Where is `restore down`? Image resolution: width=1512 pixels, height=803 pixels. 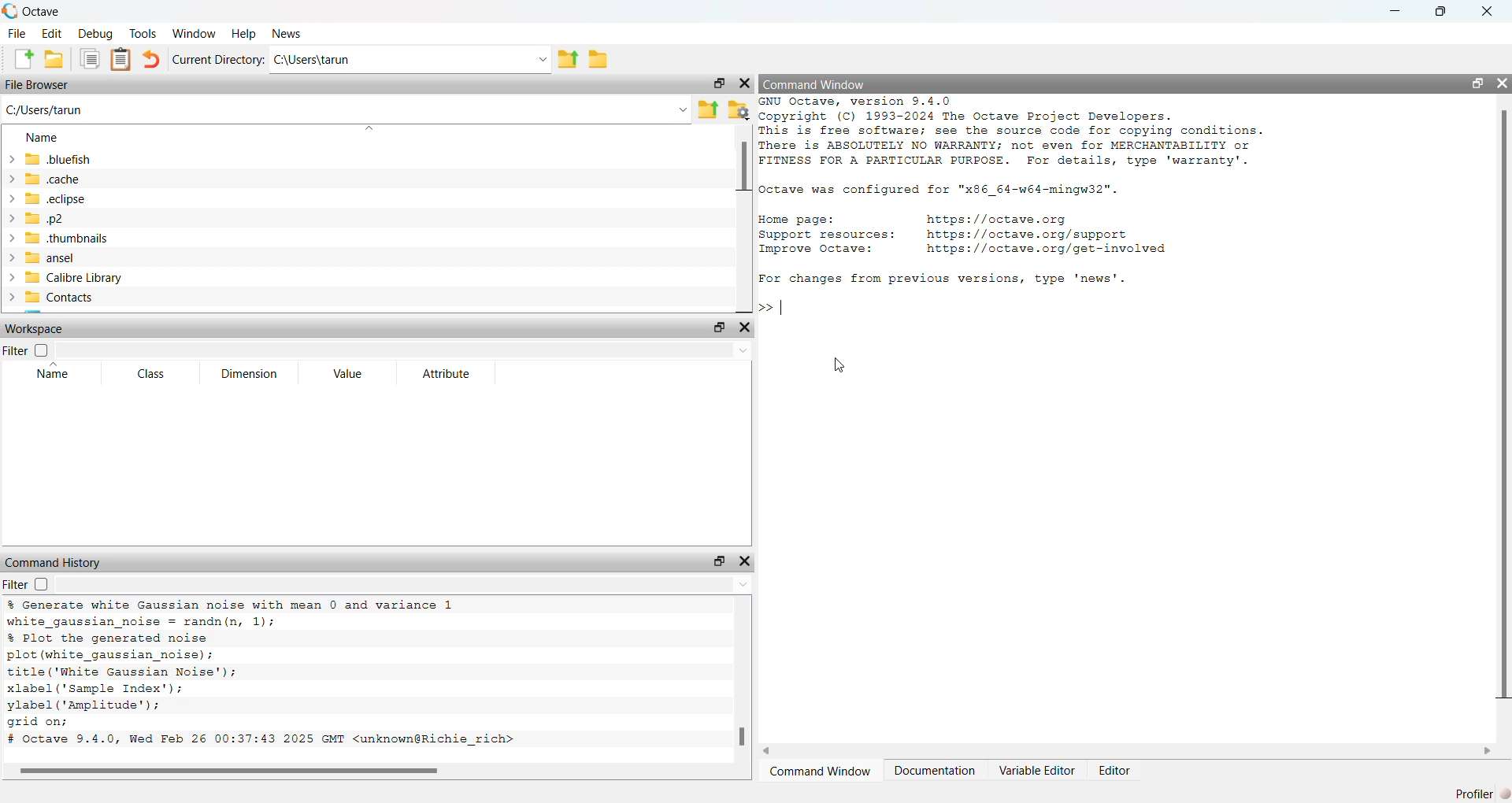 restore down is located at coordinates (720, 561).